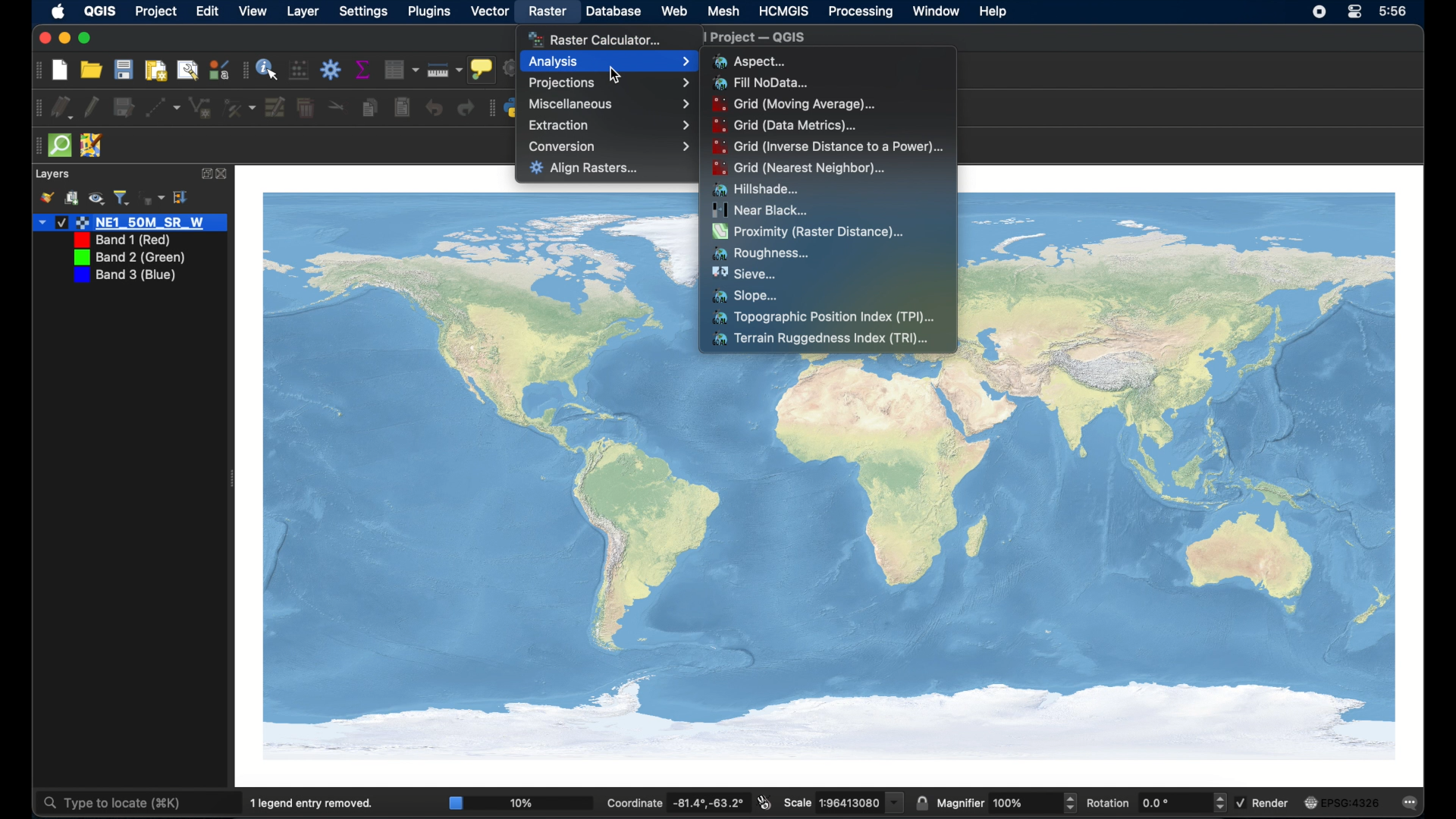 This screenshot has height=819, width=1456. What do you see at coordinates (41, 39) in the screenshot?
I see `close` at bounding box center [41, 39].